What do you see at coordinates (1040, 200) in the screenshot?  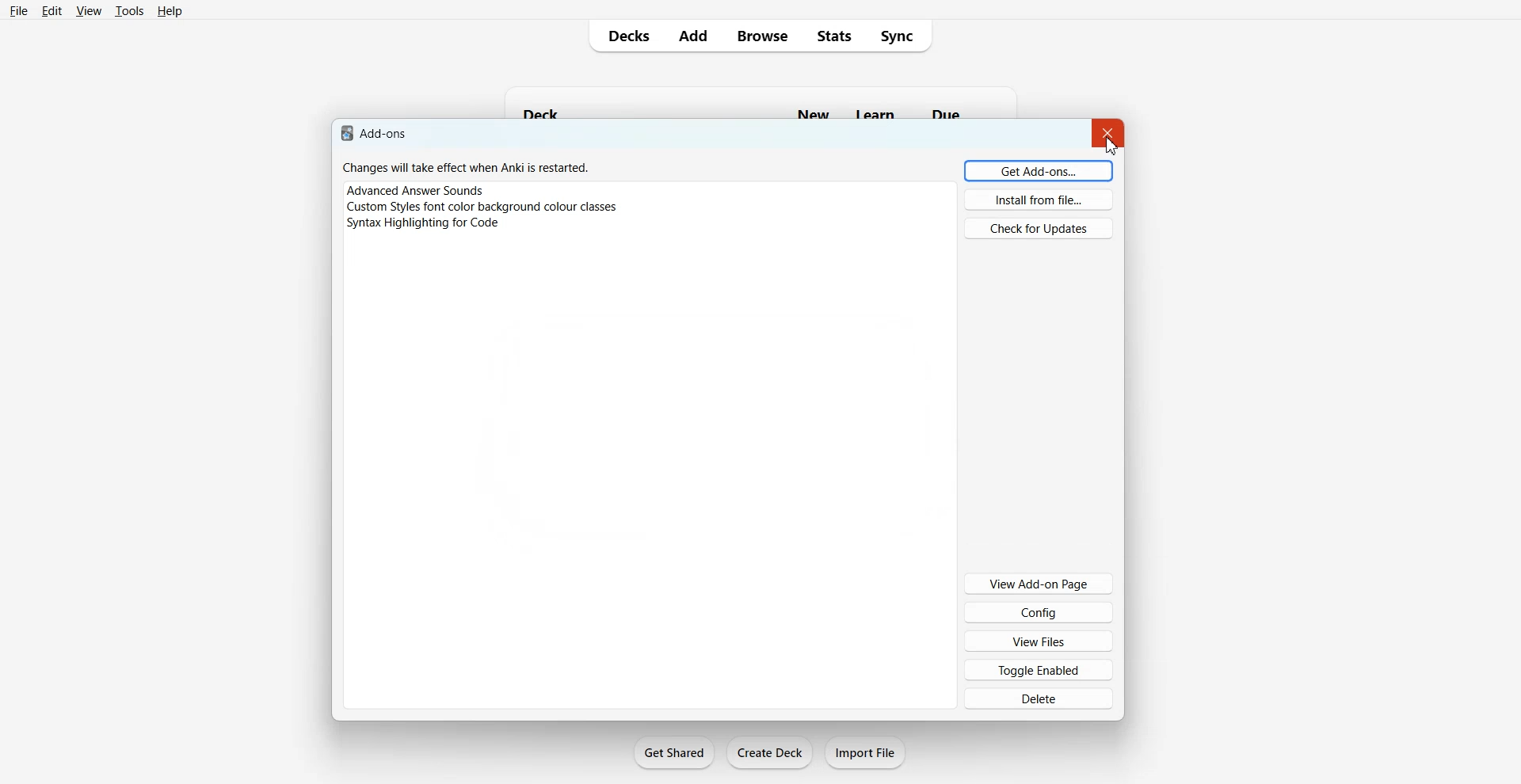 I see `Install from file` at bounding box center [1040, 200].